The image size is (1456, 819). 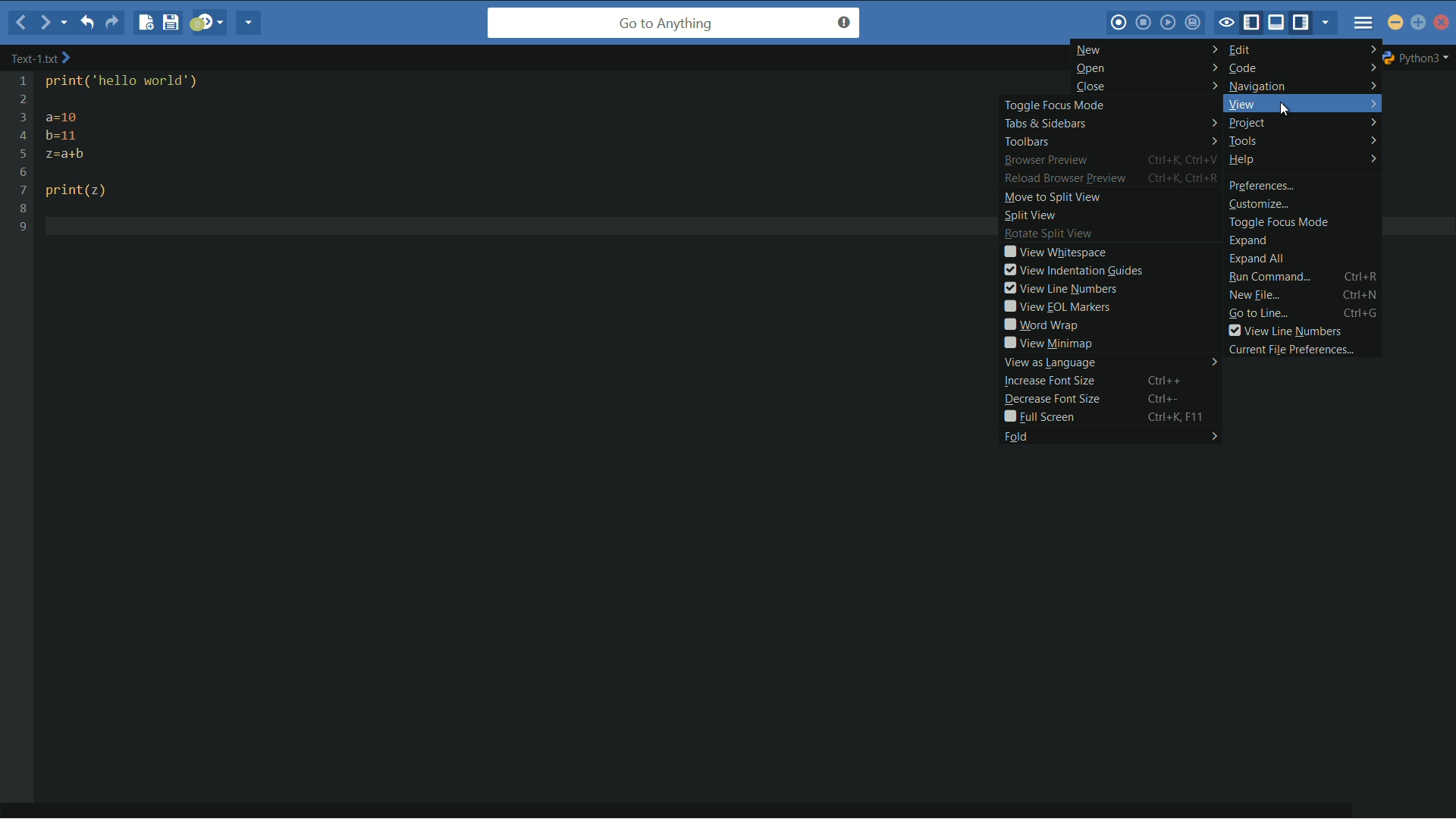 What do you see at coordinates (1172, 398) in the screenshot?
I see `Ctrl+-` at bounding box center [1172, 398].